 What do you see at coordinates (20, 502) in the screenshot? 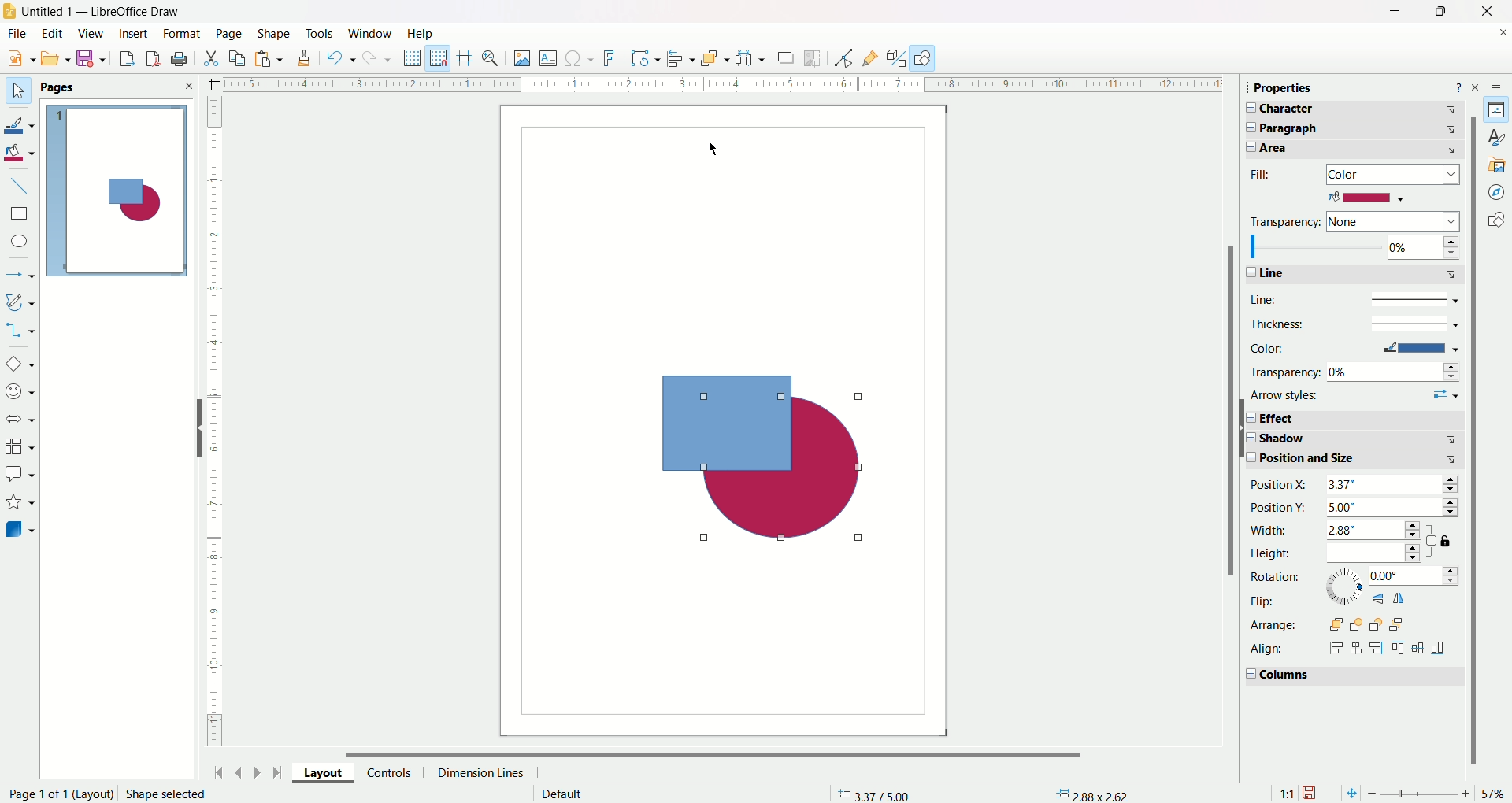
I see `stars and banners` at bounding box center [20, 502].